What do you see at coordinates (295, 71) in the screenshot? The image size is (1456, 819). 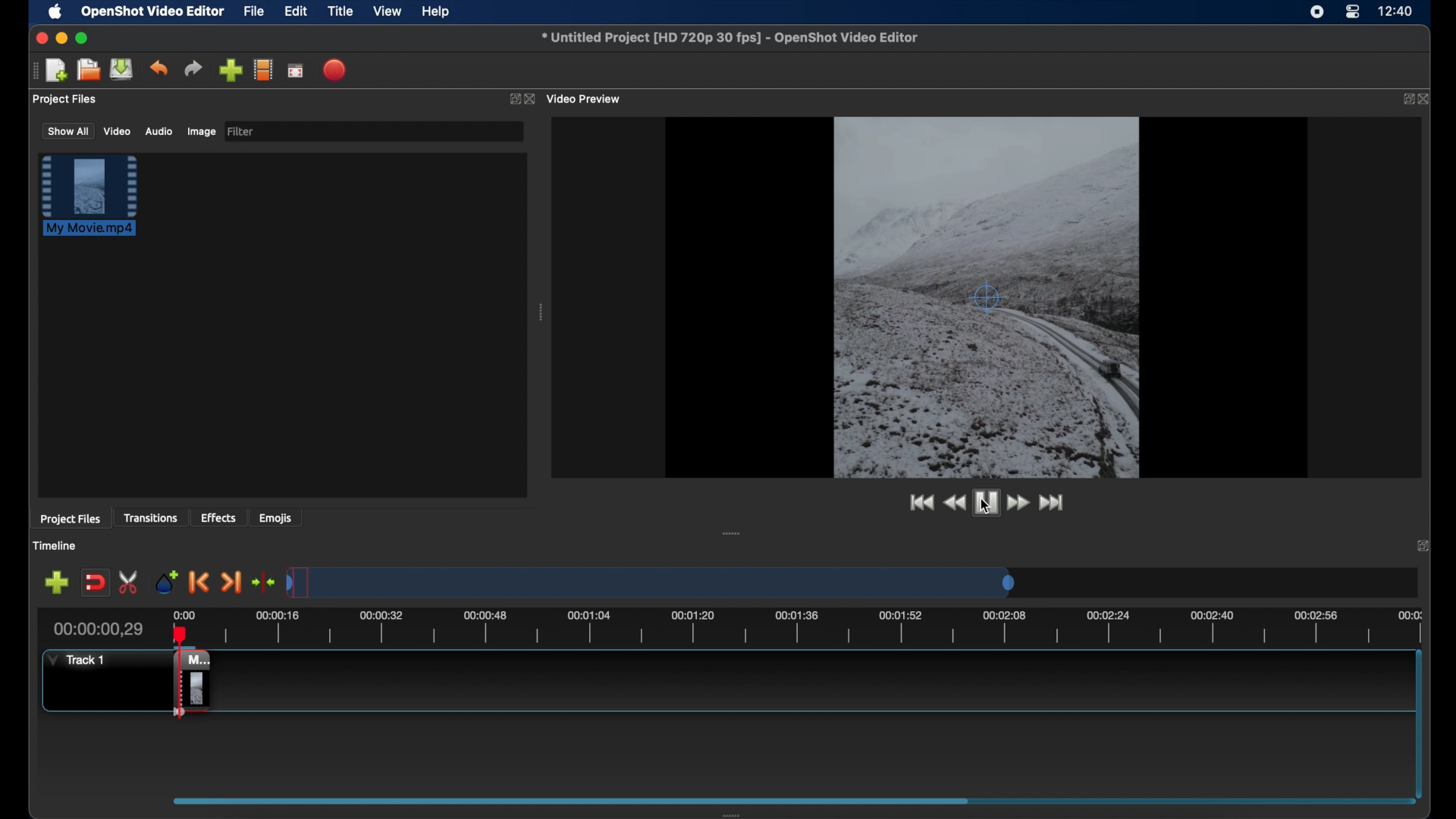 I see `full screen` at bounding box center [295, 71].